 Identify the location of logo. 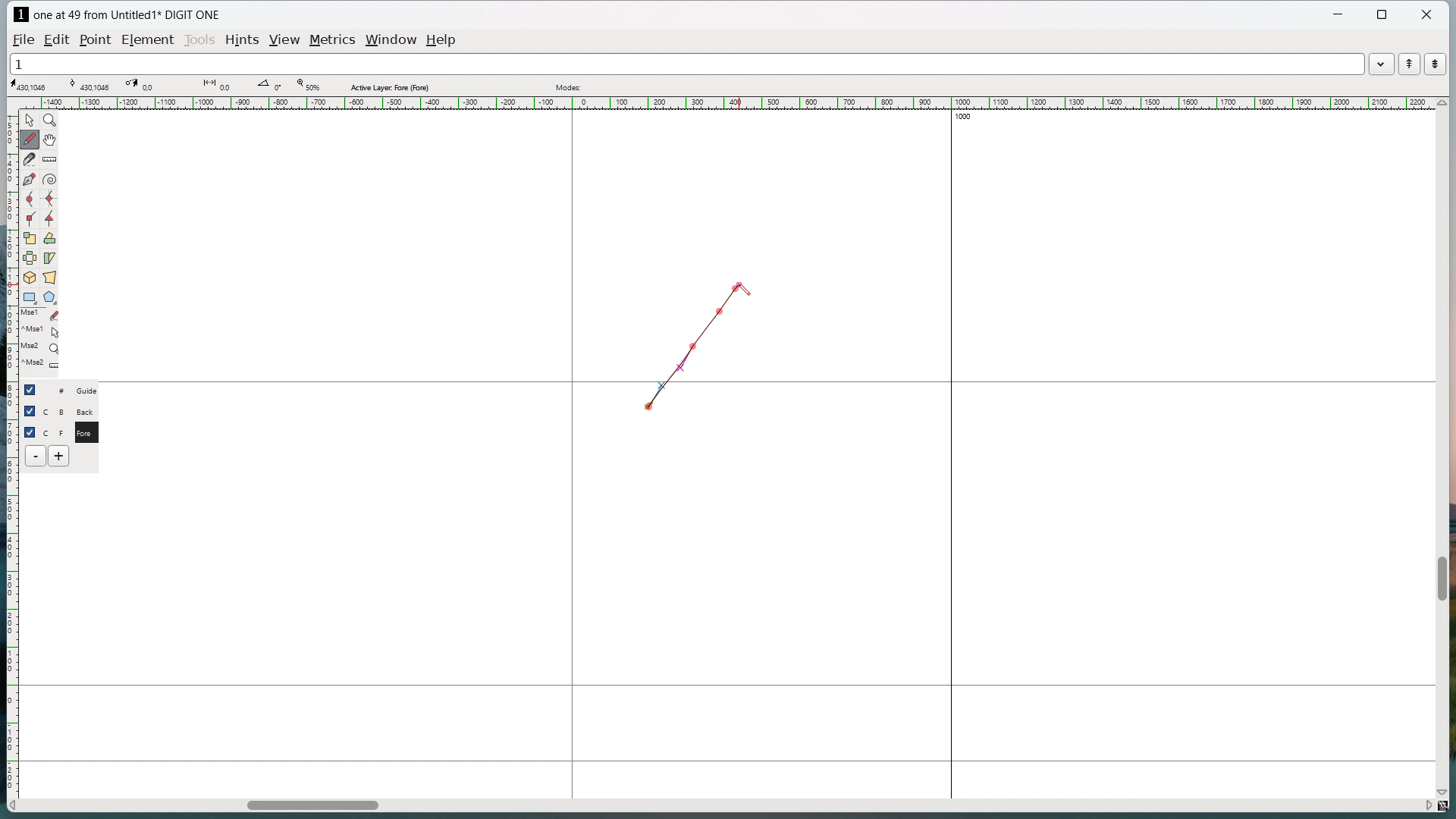
(20, 14).